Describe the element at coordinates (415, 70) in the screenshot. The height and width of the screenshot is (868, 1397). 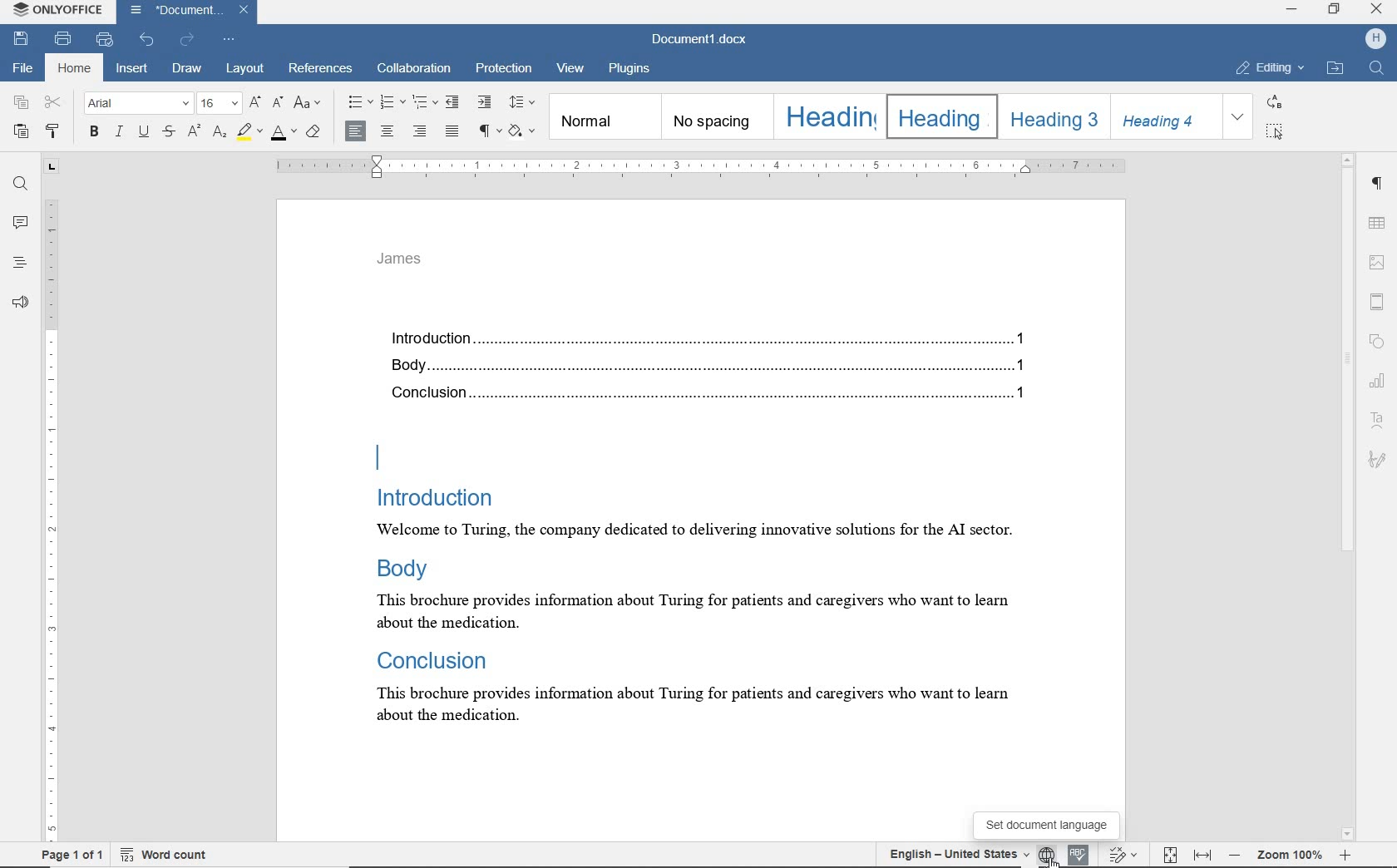
I see `collaboration` at that location.